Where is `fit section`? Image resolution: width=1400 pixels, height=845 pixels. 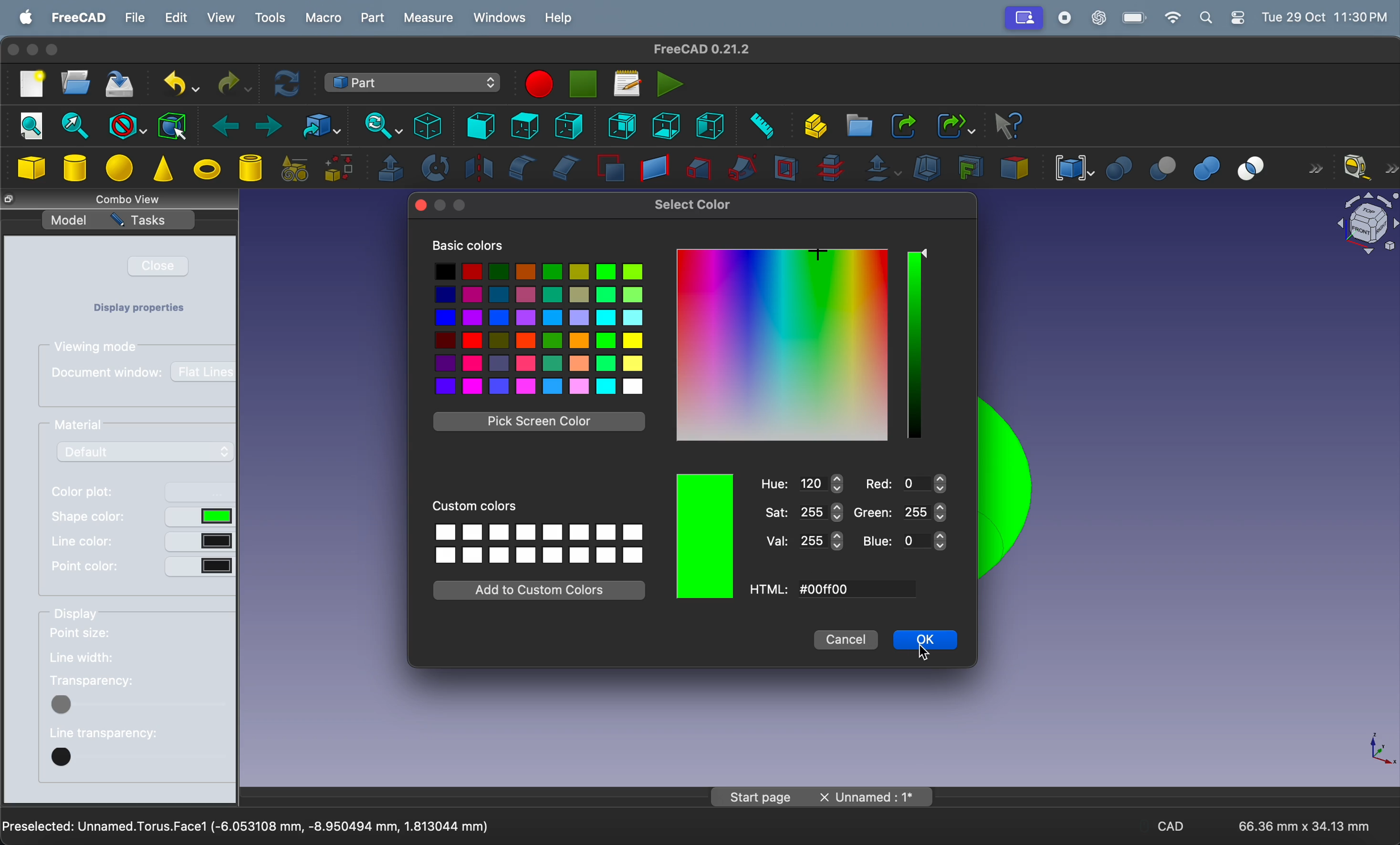 fit section is located at coordinates (71, 127).